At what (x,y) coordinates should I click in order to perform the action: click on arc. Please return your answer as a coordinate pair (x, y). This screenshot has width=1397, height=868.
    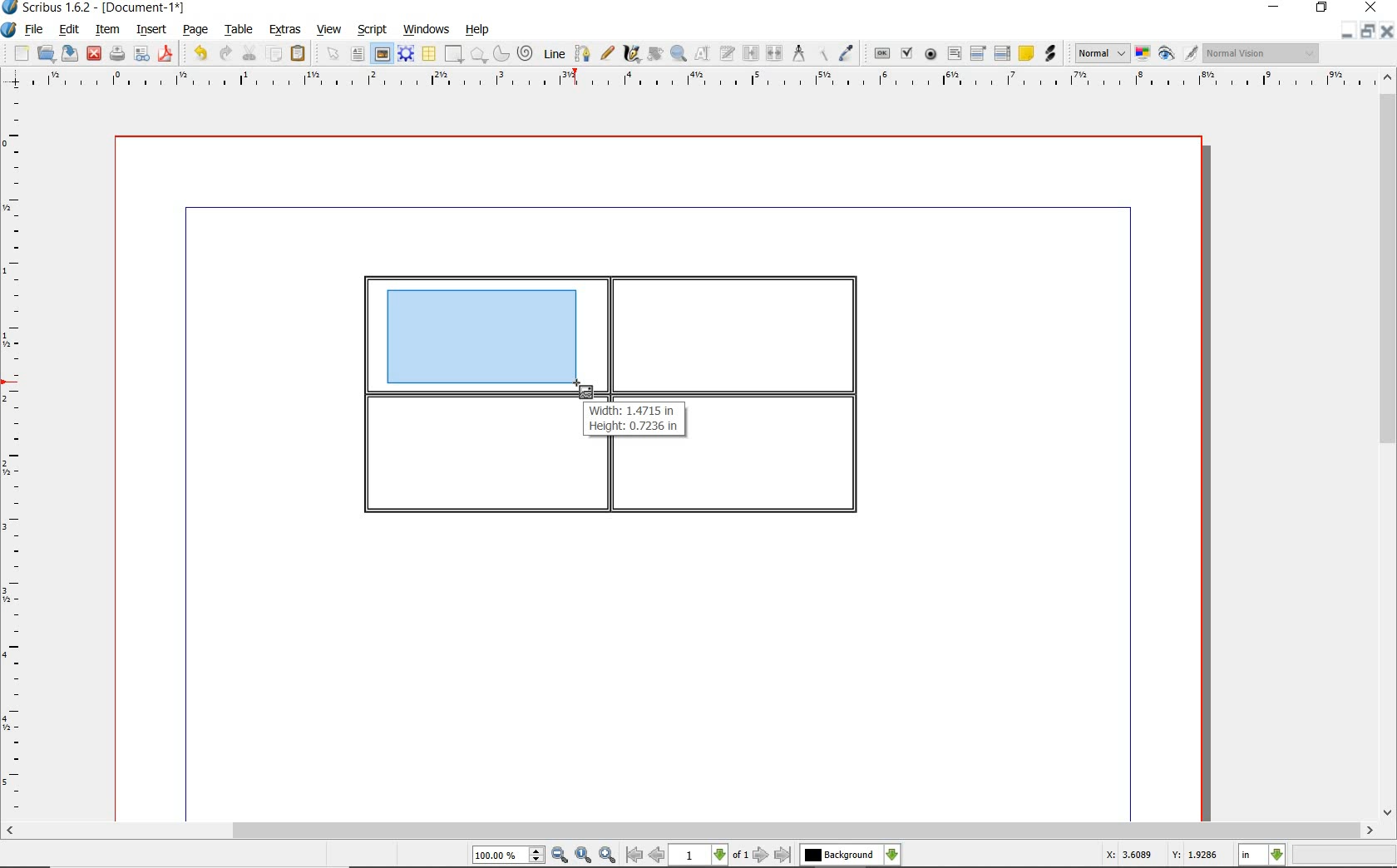
    Looking at the image, I should click on (503, 55).